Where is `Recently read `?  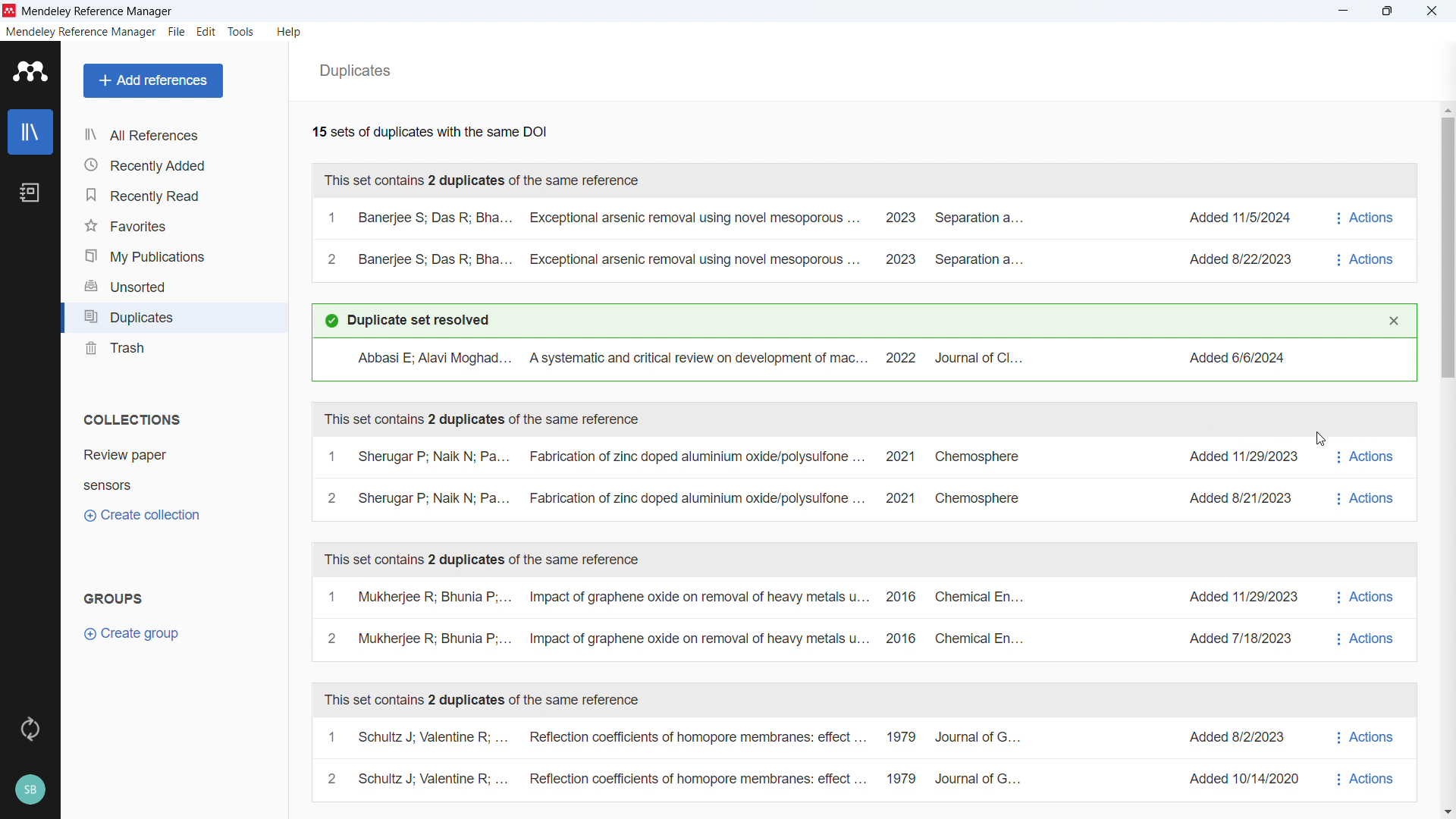
Recently read  is located at coordinates (172, 193).